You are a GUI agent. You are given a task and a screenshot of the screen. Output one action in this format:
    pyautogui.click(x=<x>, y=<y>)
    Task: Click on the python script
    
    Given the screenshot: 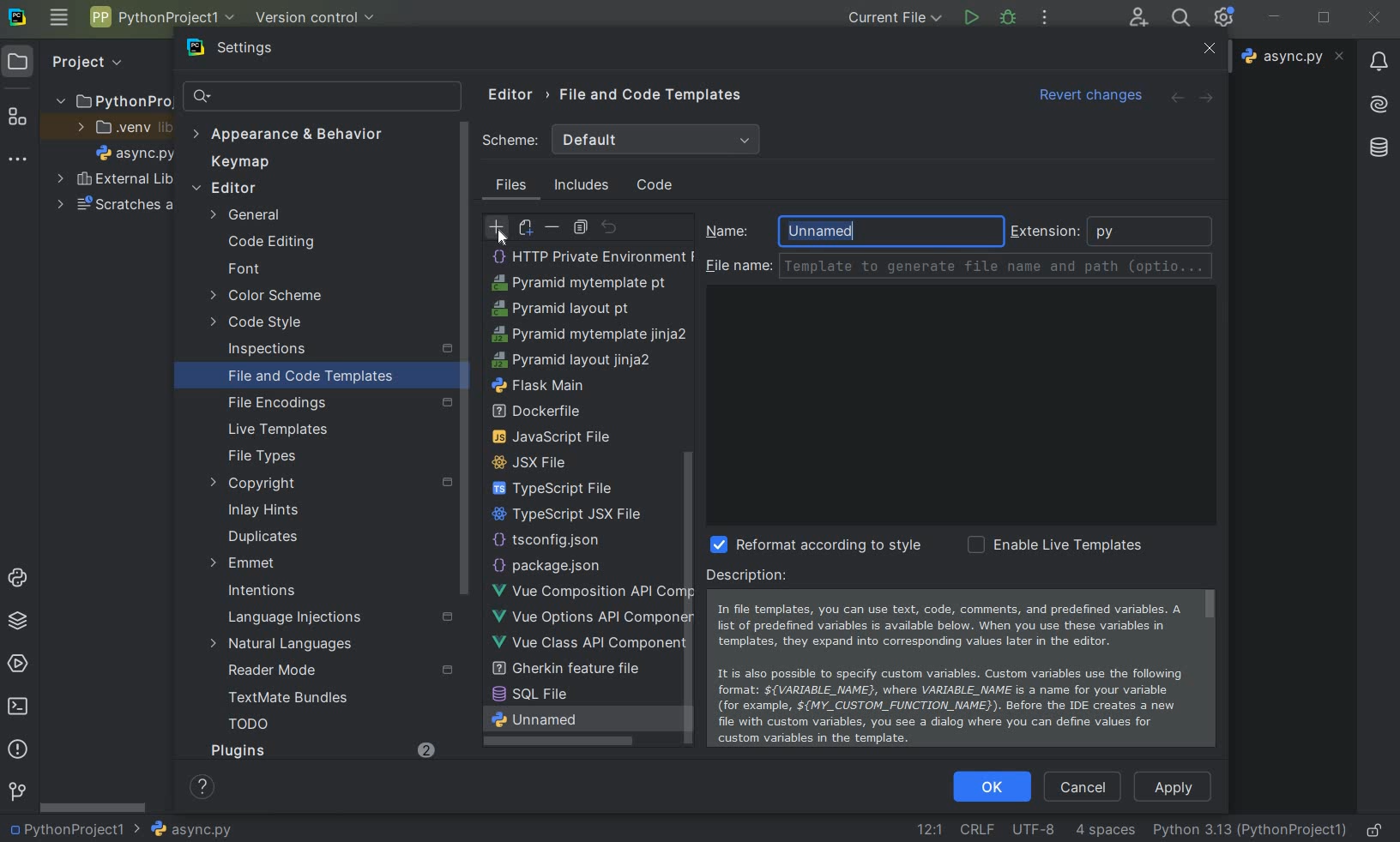 What is the action you would take?
    pyautogui.click(x=577, y=359)
    